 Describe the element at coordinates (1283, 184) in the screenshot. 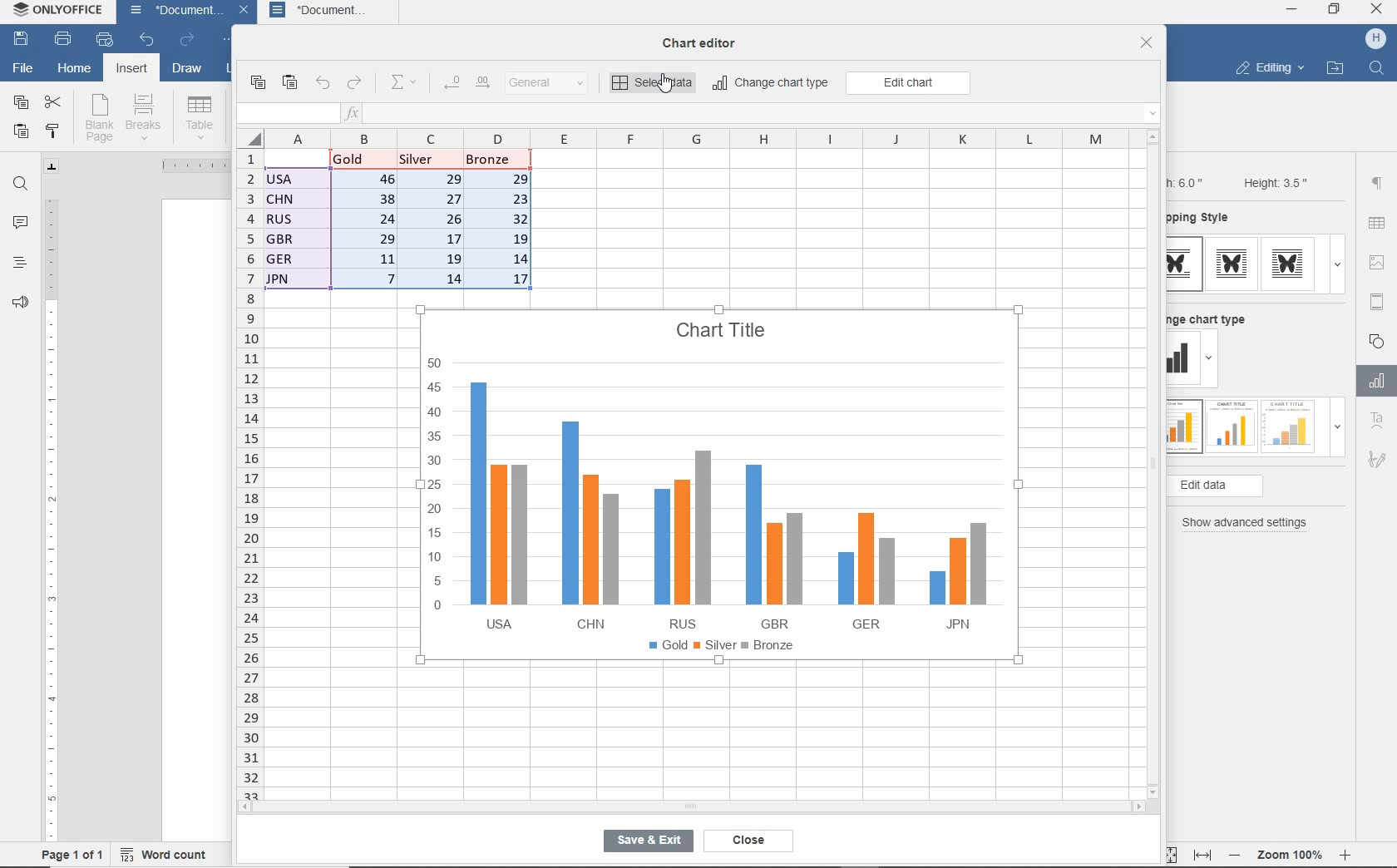

I see `Height: 3.5"` at that location.